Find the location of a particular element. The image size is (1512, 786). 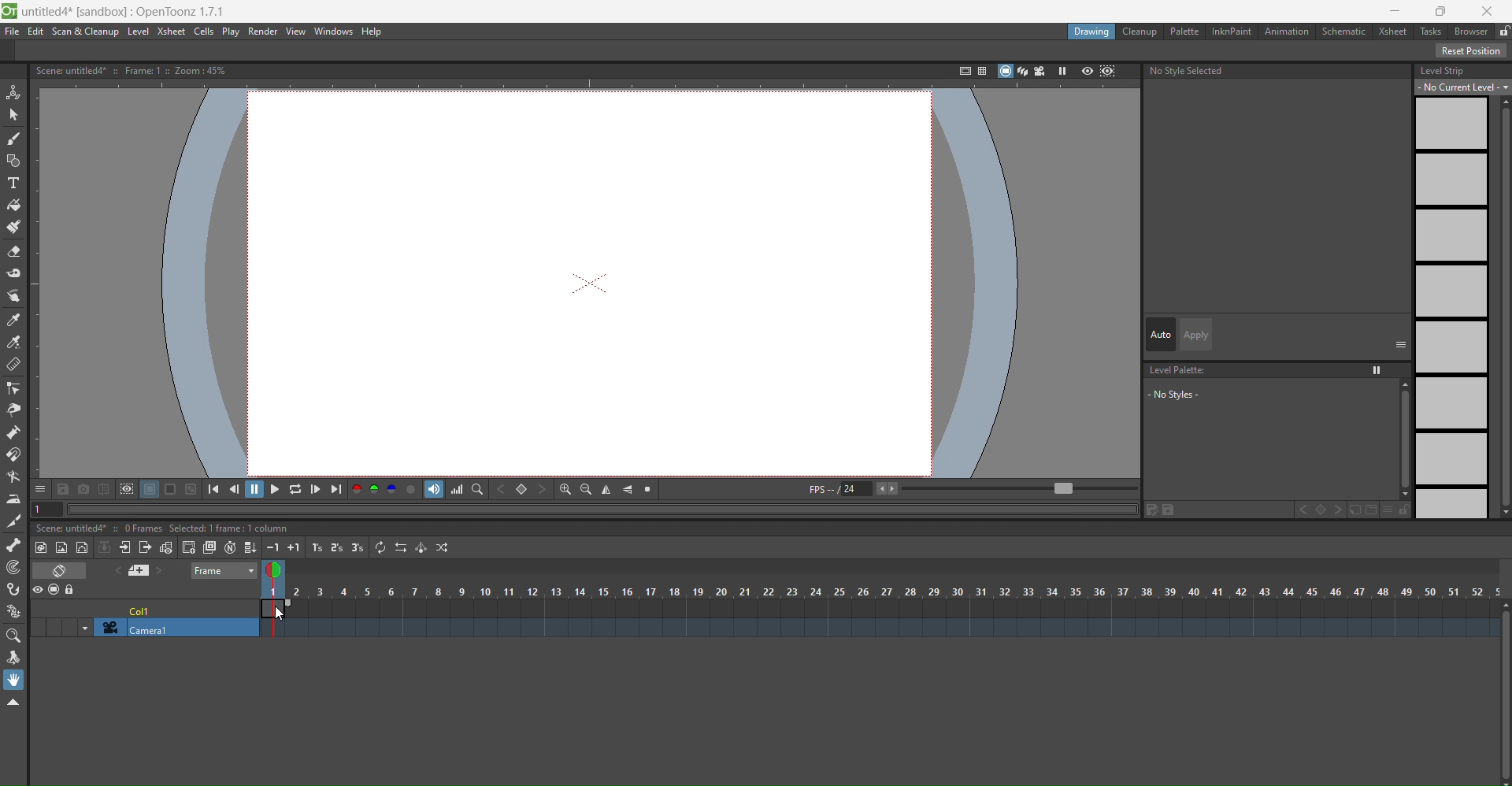

logo is located at coordinates (9, 12).